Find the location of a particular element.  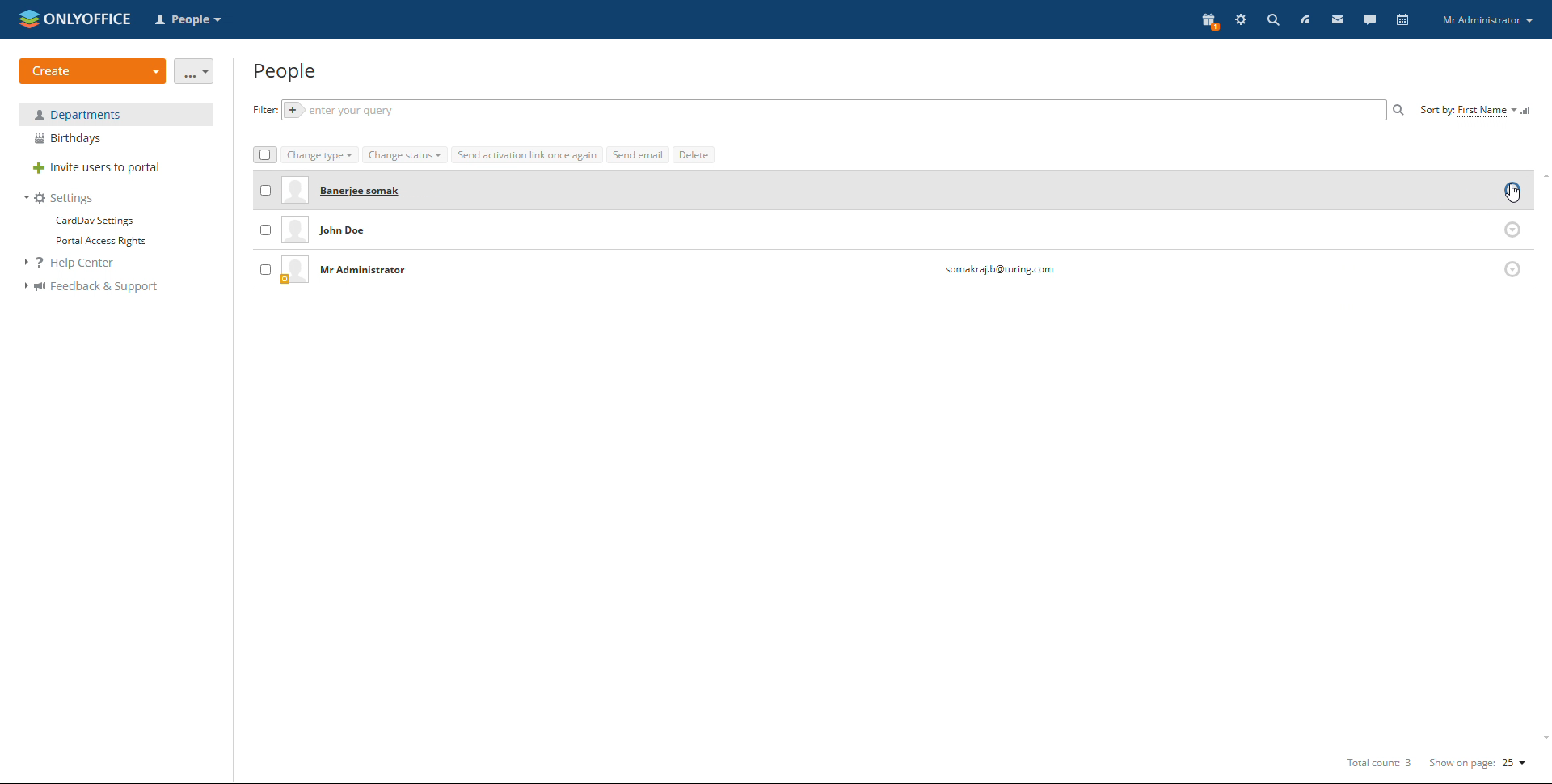

actions is located at coordinates (1512, 269).